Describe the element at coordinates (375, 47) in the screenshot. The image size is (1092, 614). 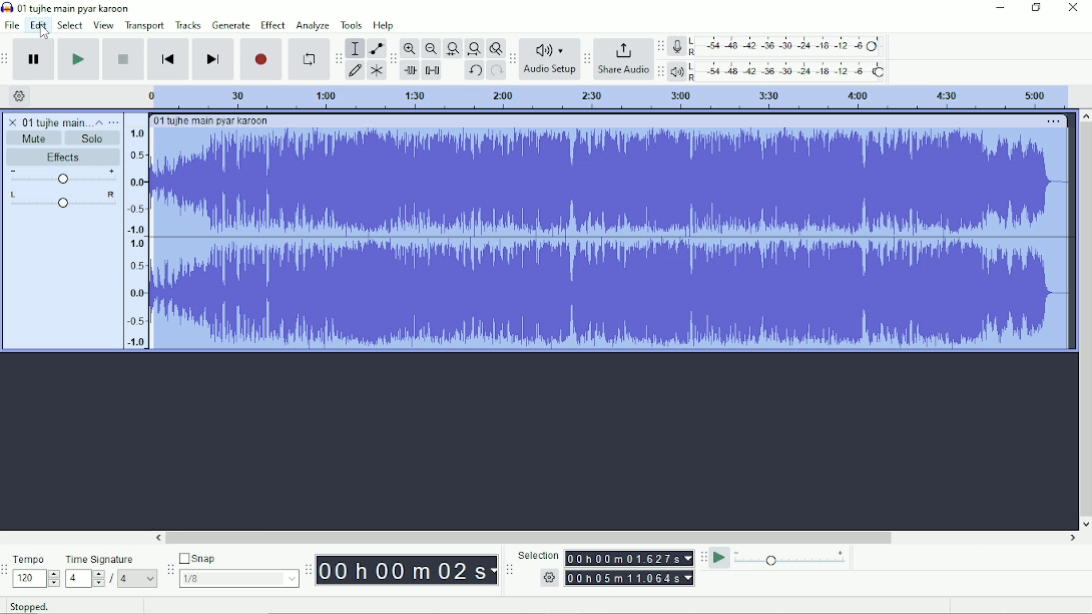
I see `Envelope tool` at that location.